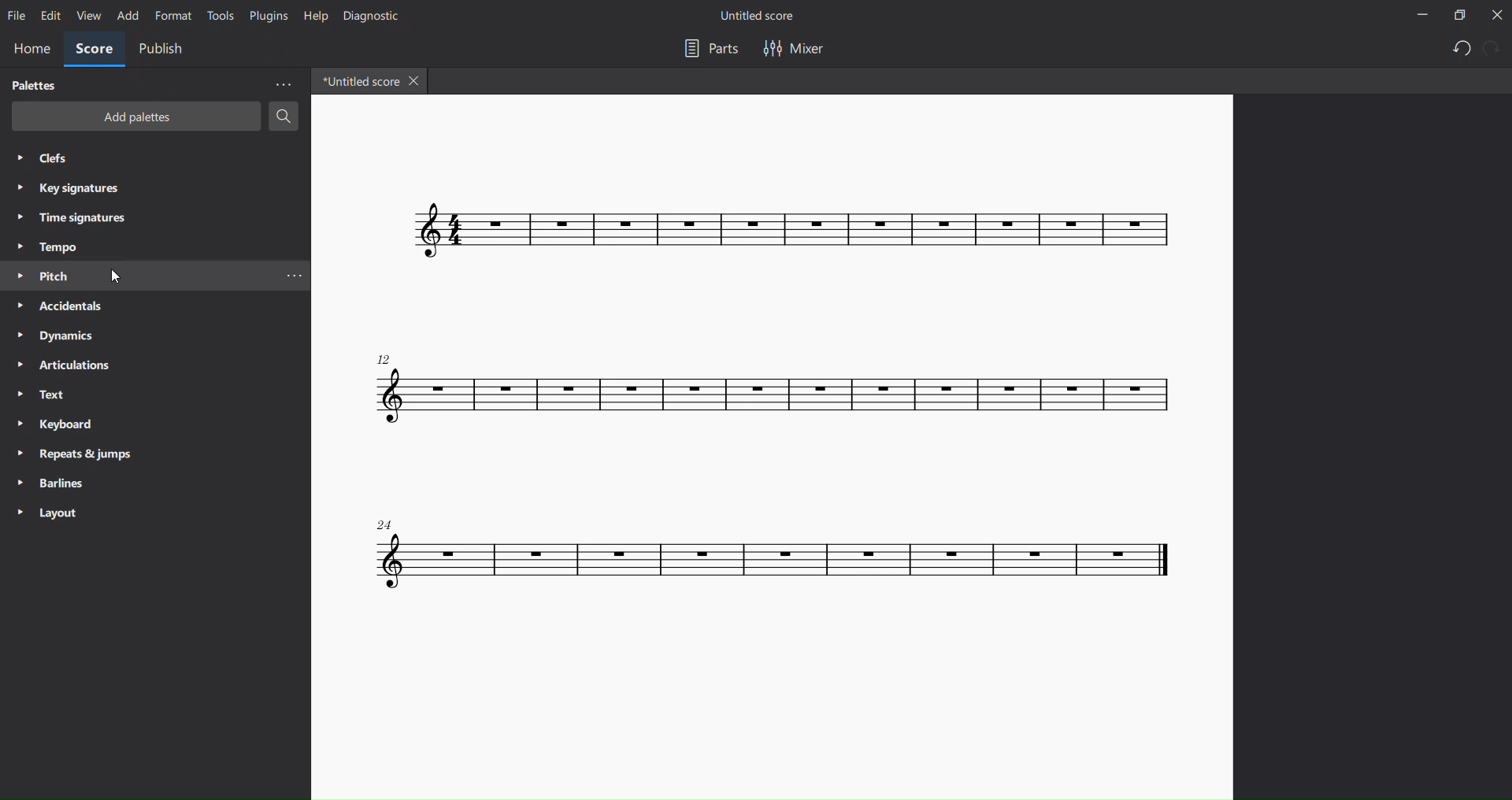 Image resolution: width=1512 pixels, height=800 pixels. Describe the element at coordinates (762, 17) in the screenshot. I see `title` at that location.